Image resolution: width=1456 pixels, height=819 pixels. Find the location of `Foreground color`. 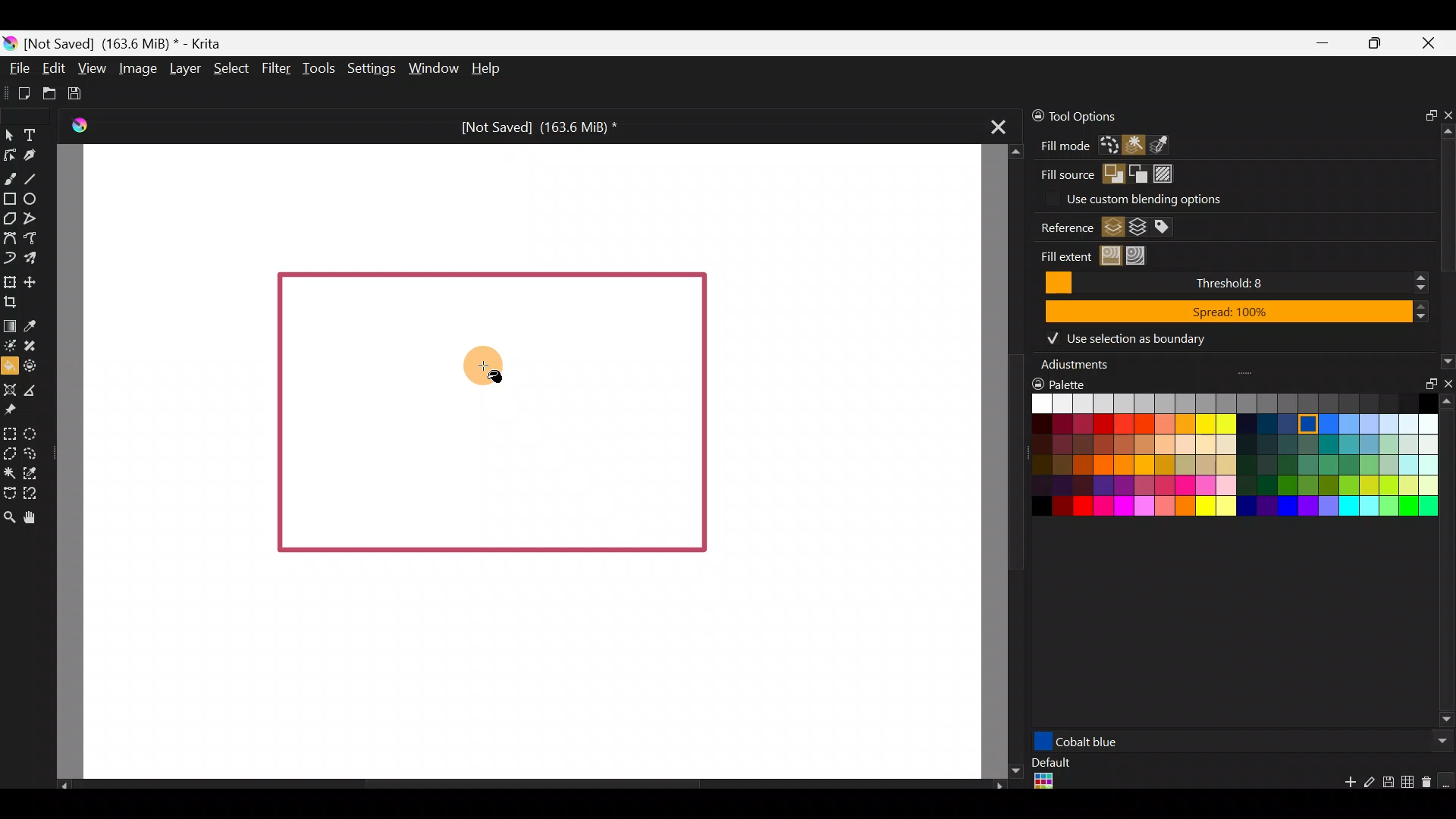

Foreground color is located at coordinates (1110, 174).